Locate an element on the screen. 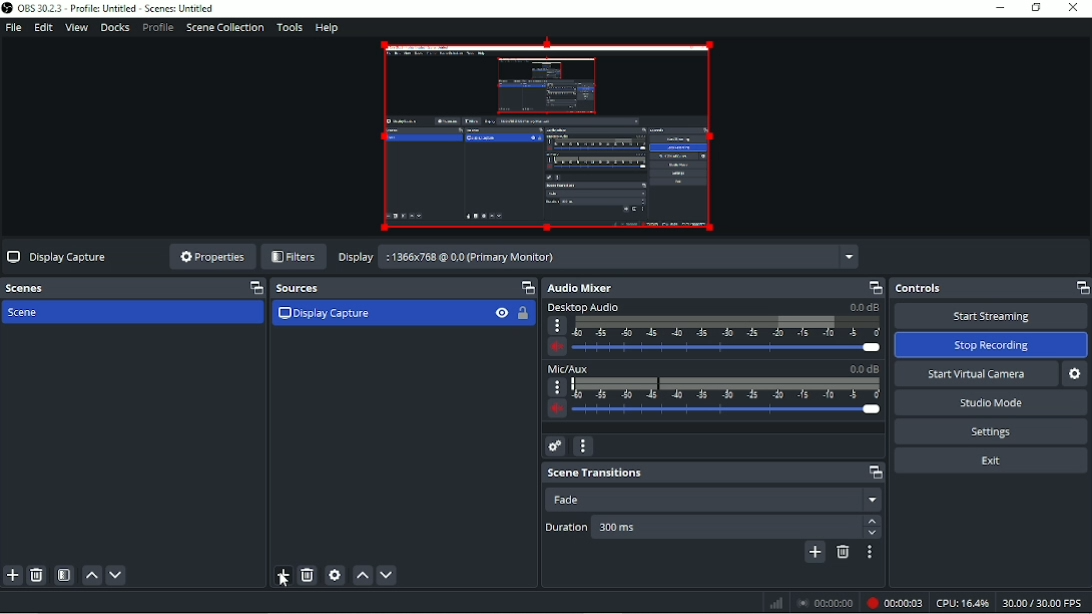 This screenshot has height=614, width=1092. Remove selected scene is located at coordinates (36, 575).